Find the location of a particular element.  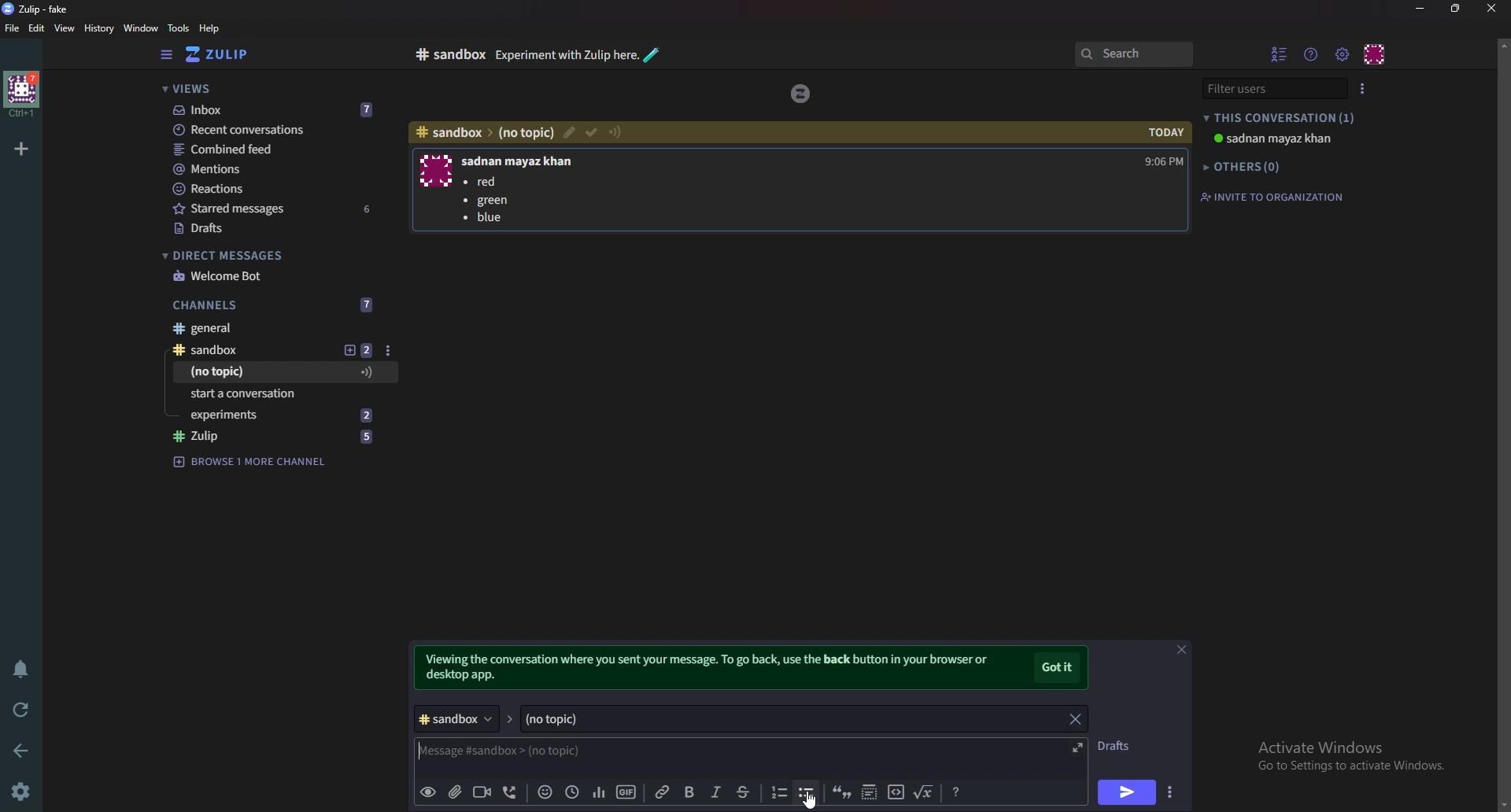

close topic is located at coordinates (1075, 718).